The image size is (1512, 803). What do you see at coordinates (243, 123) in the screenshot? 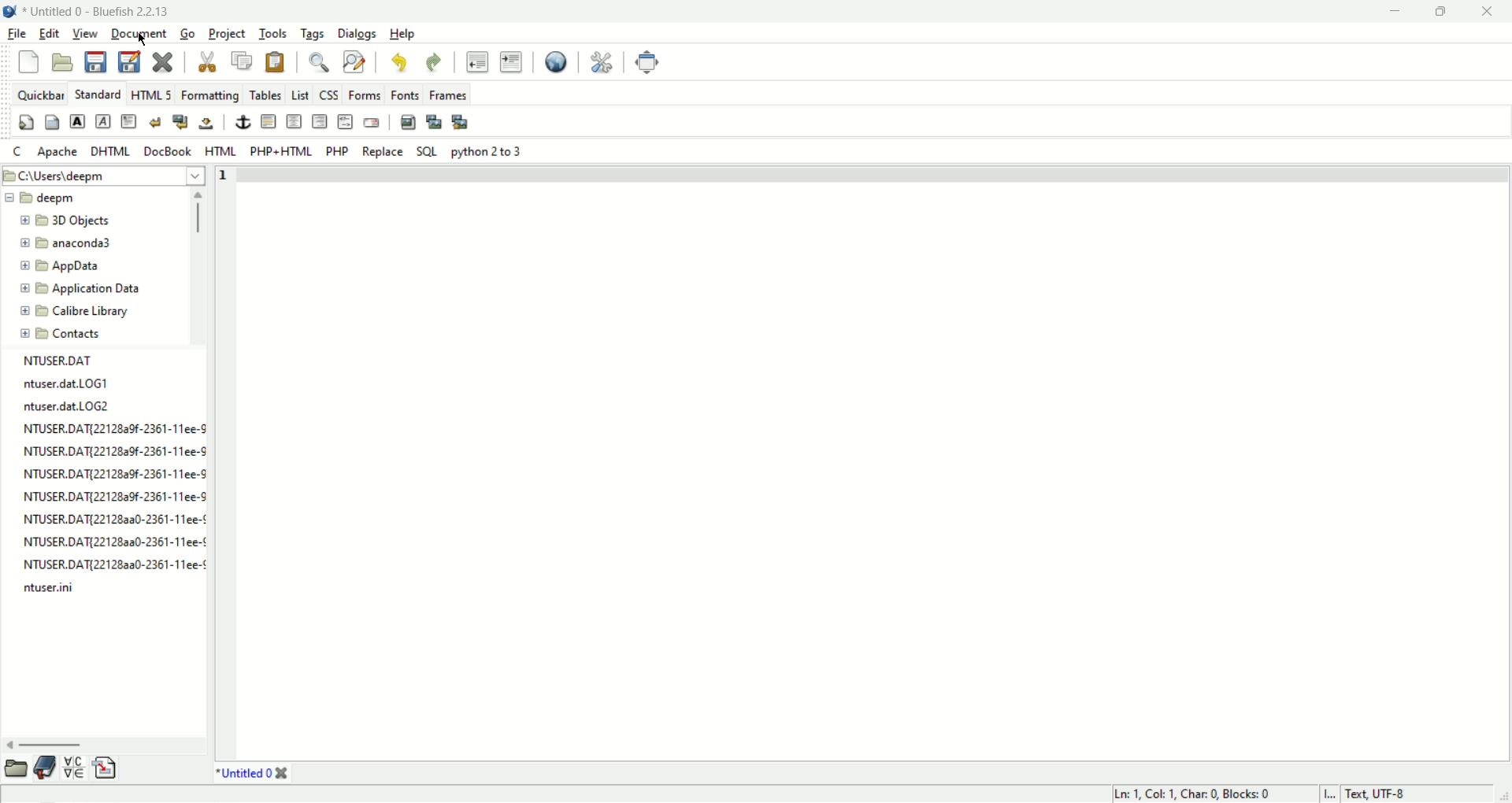
I see `anchor` at bounding box center [243, 123].